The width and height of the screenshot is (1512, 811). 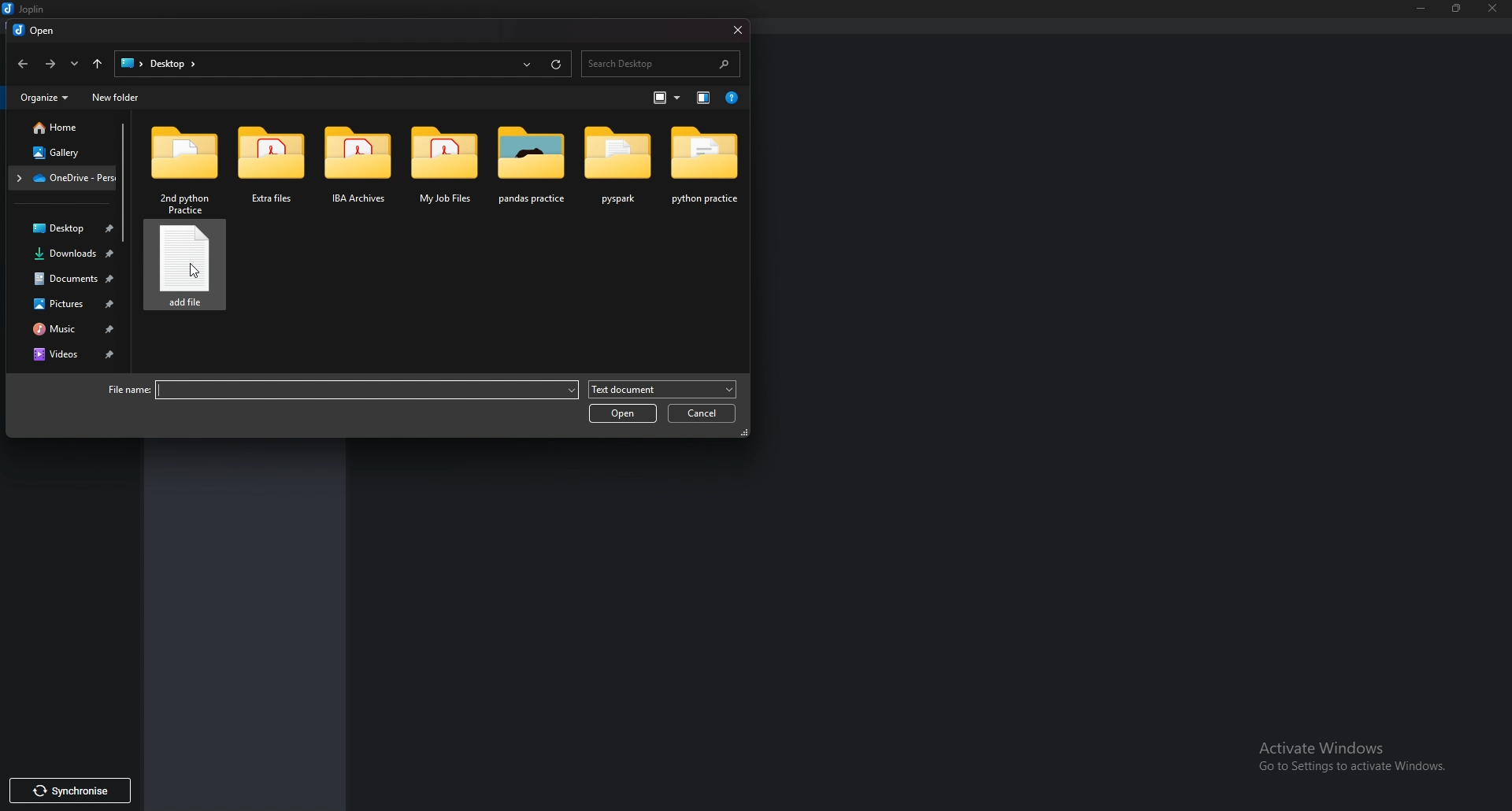 I want to click on Gallery, so click(x=60, y=154).